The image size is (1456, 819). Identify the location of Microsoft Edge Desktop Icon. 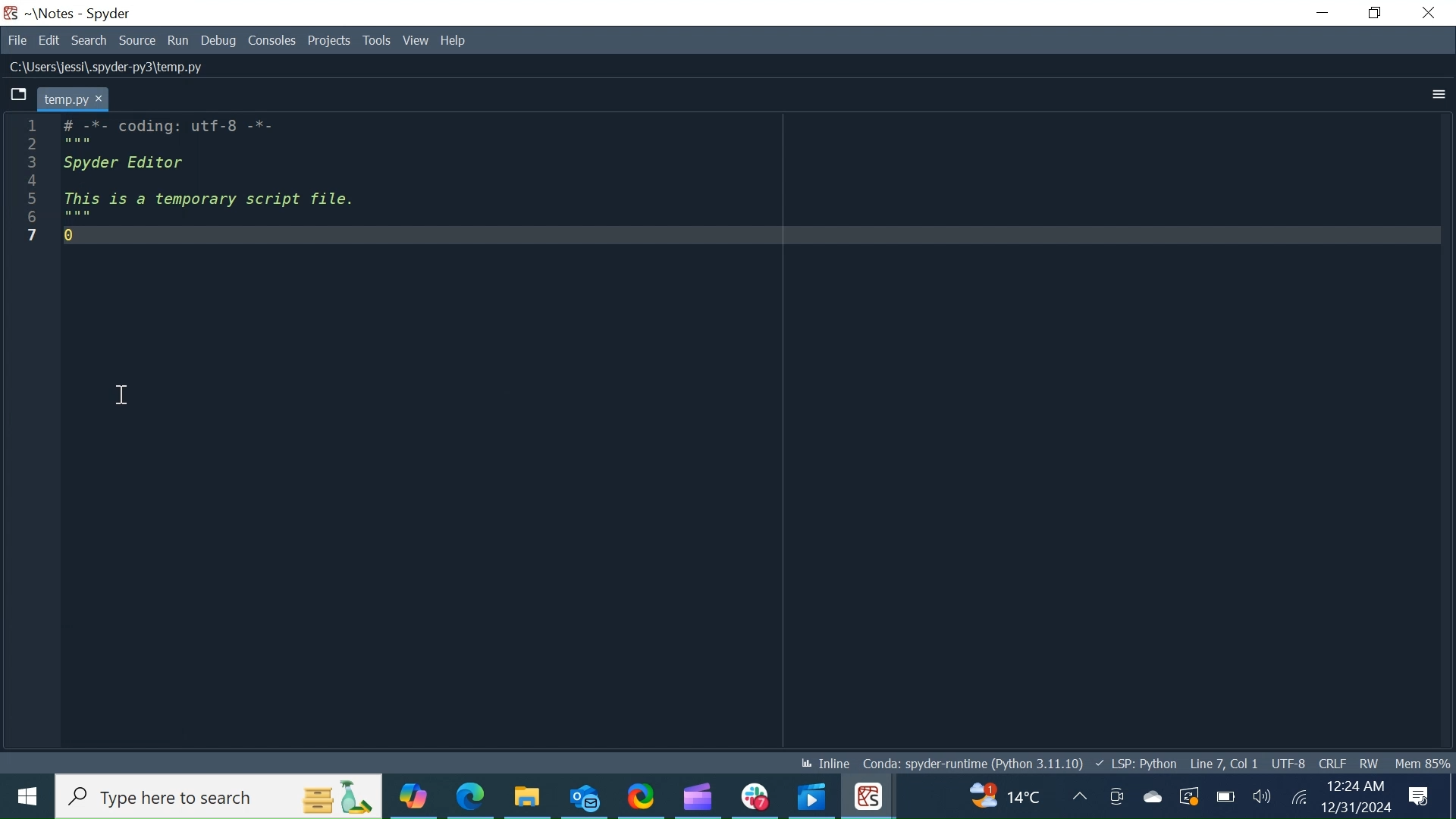
(477, 797).